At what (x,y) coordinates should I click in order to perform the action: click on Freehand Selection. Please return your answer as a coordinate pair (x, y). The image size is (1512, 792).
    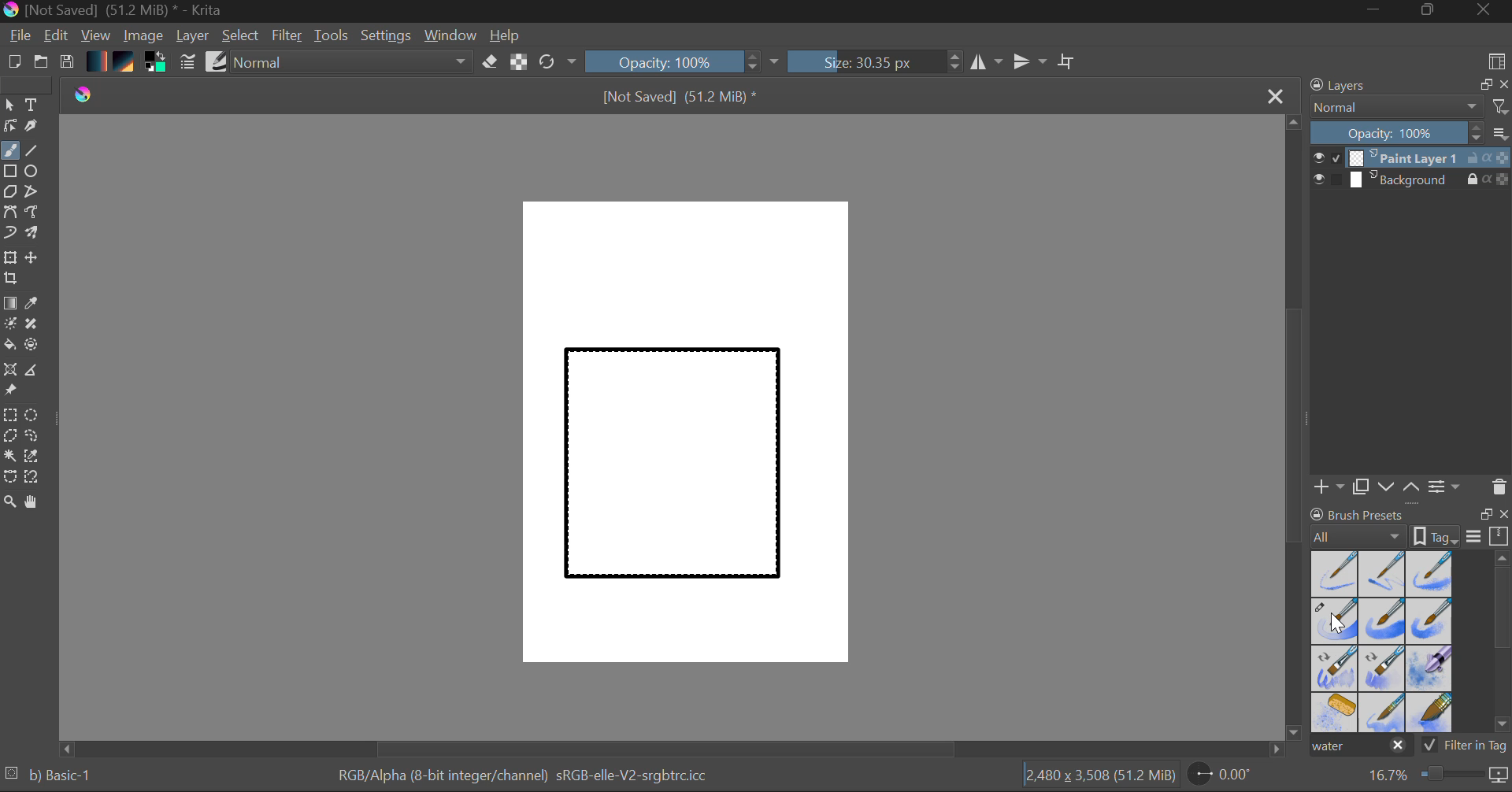
    Looking at the image, I should click on (32, 438).